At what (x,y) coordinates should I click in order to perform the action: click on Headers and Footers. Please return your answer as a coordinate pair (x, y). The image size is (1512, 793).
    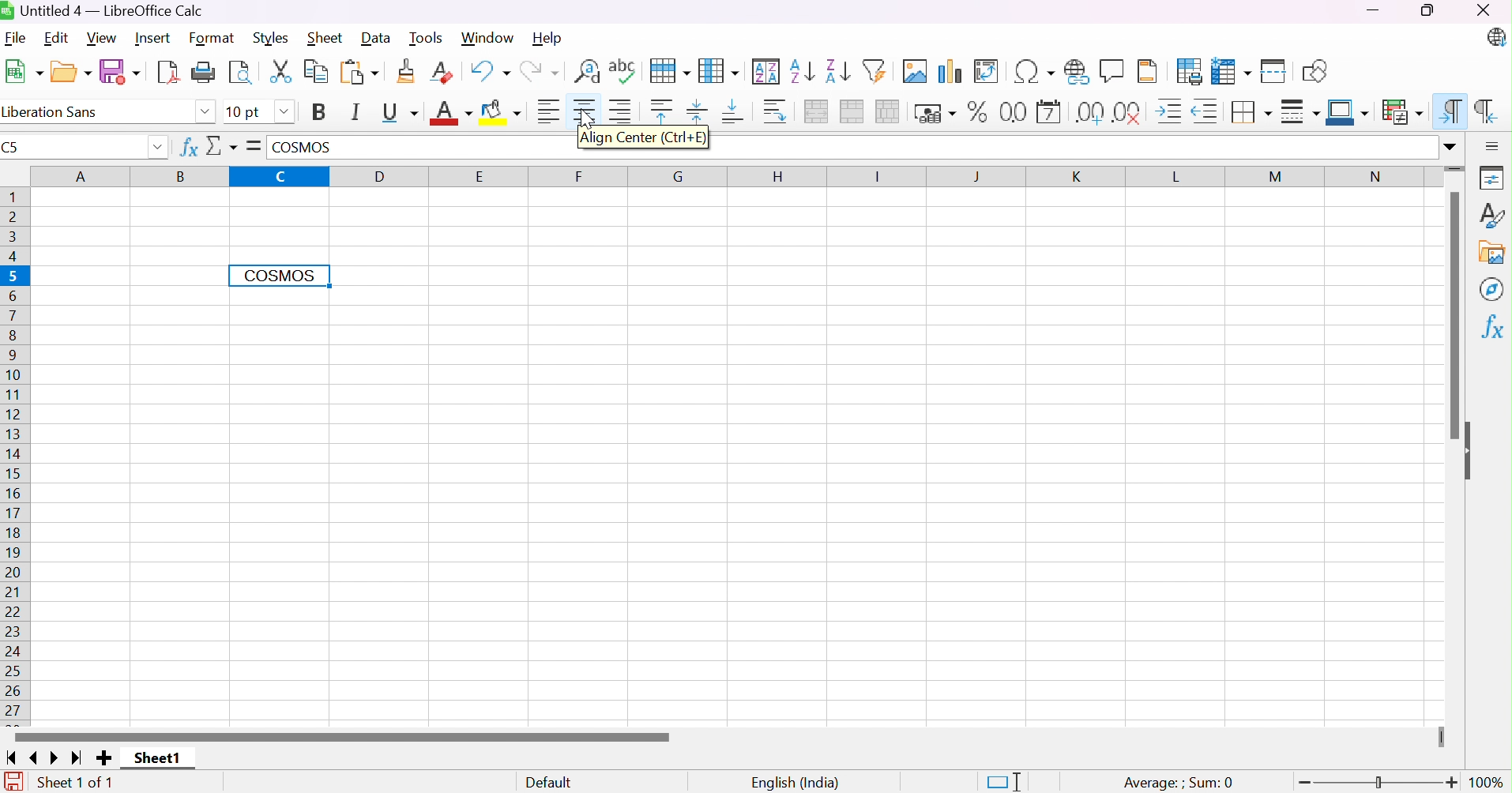
    Looking at the image, I should click on (1146, 73).